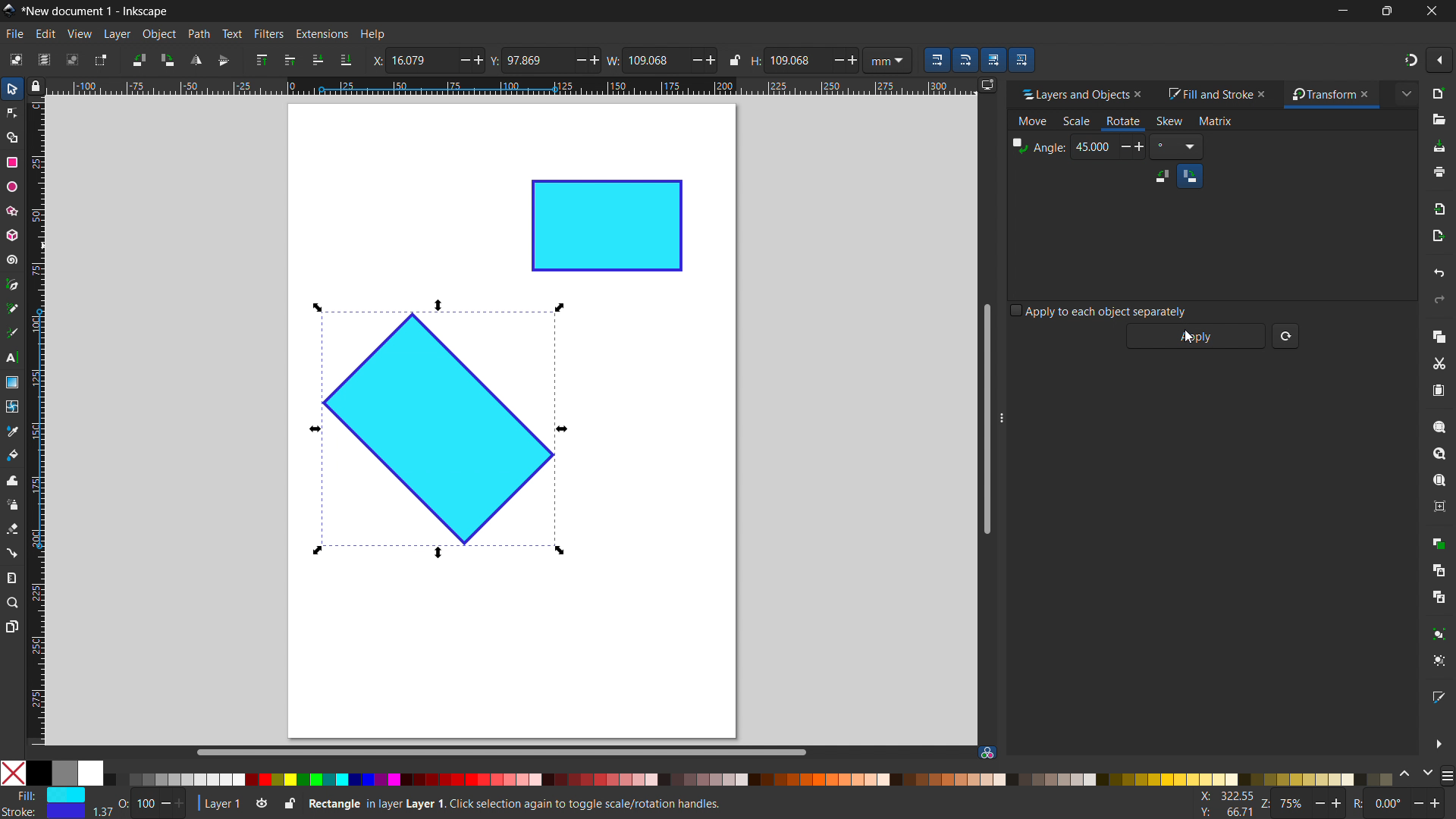 The height and width of the screenshot is (819, 1456). I want to click on *New document 1 - Inkscape, so click(96, 11).